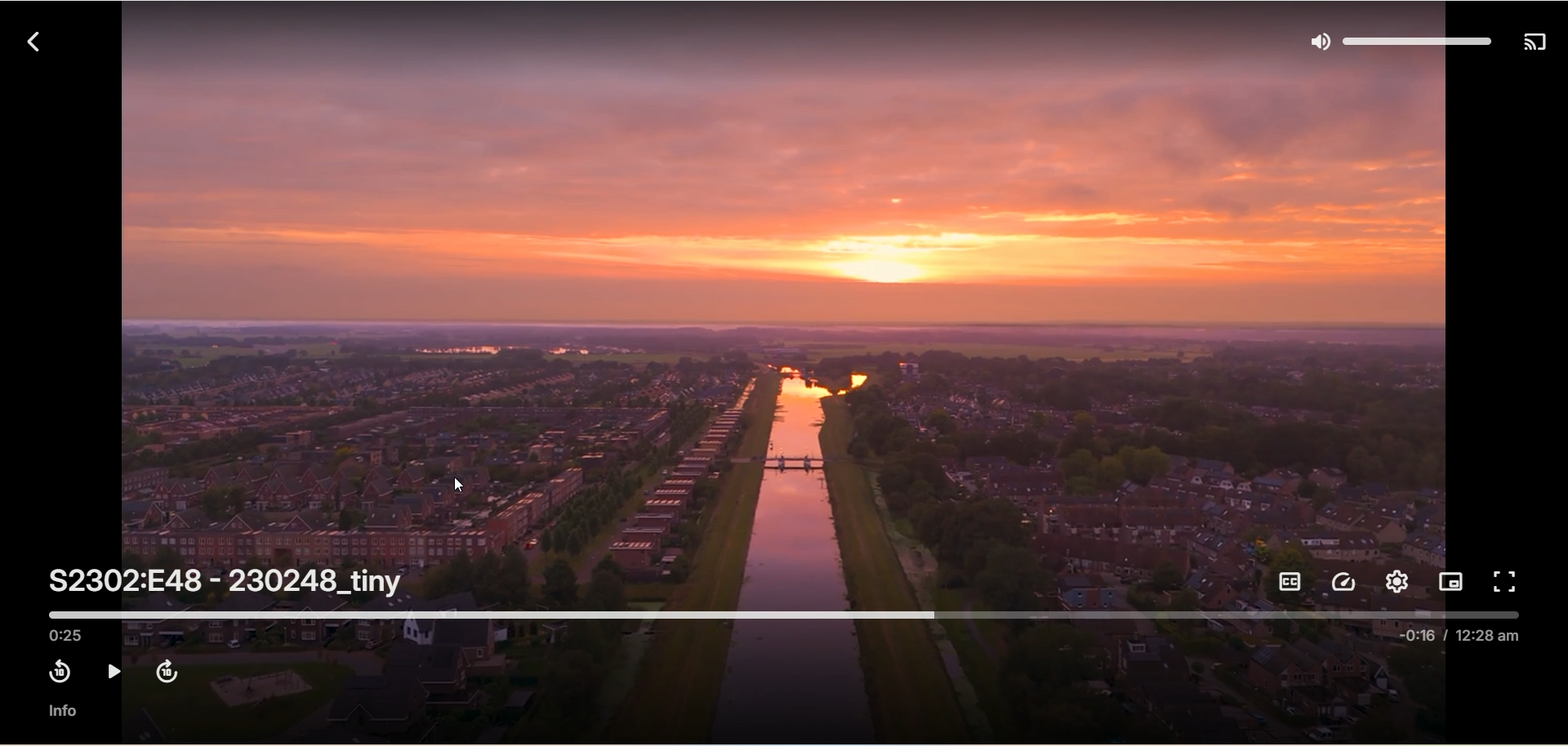  What do you see at coordinates (1508, 581) in the screenshot?
I see `fullscreen` at bounding box center [1508, 581].